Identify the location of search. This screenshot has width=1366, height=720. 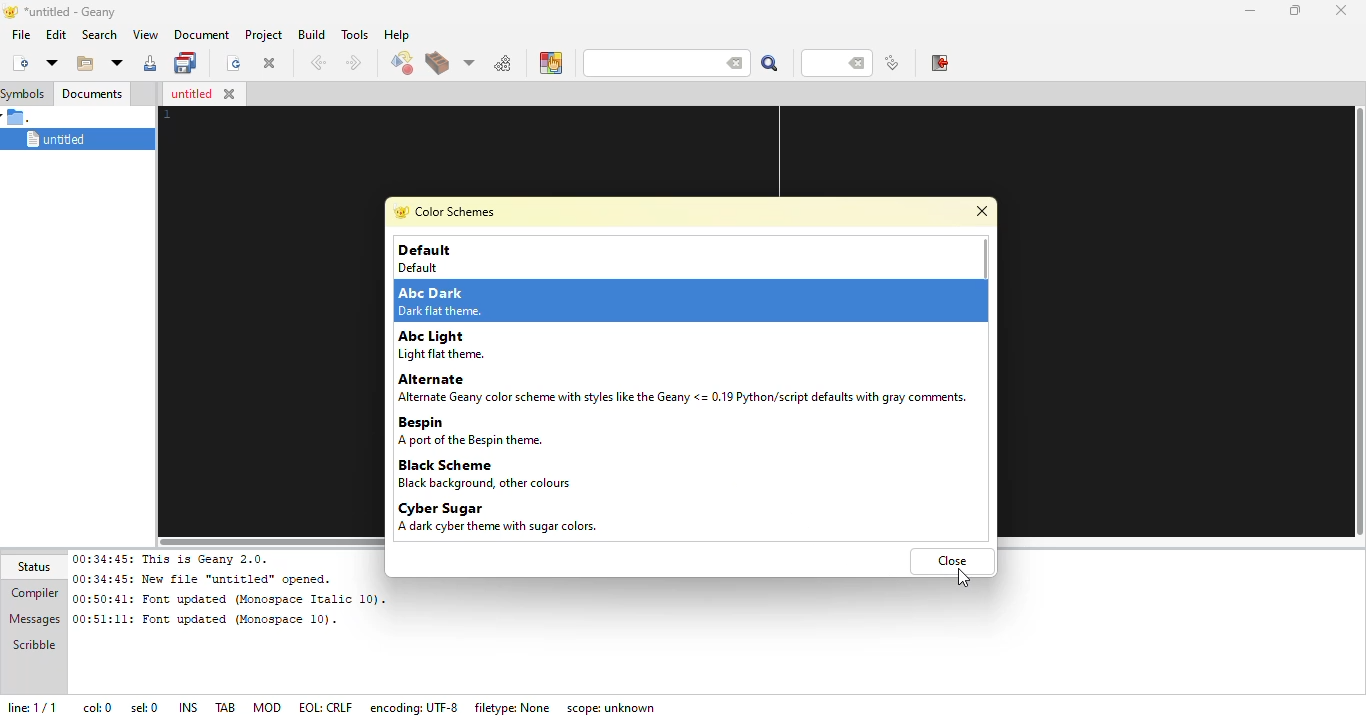
(646, 63).